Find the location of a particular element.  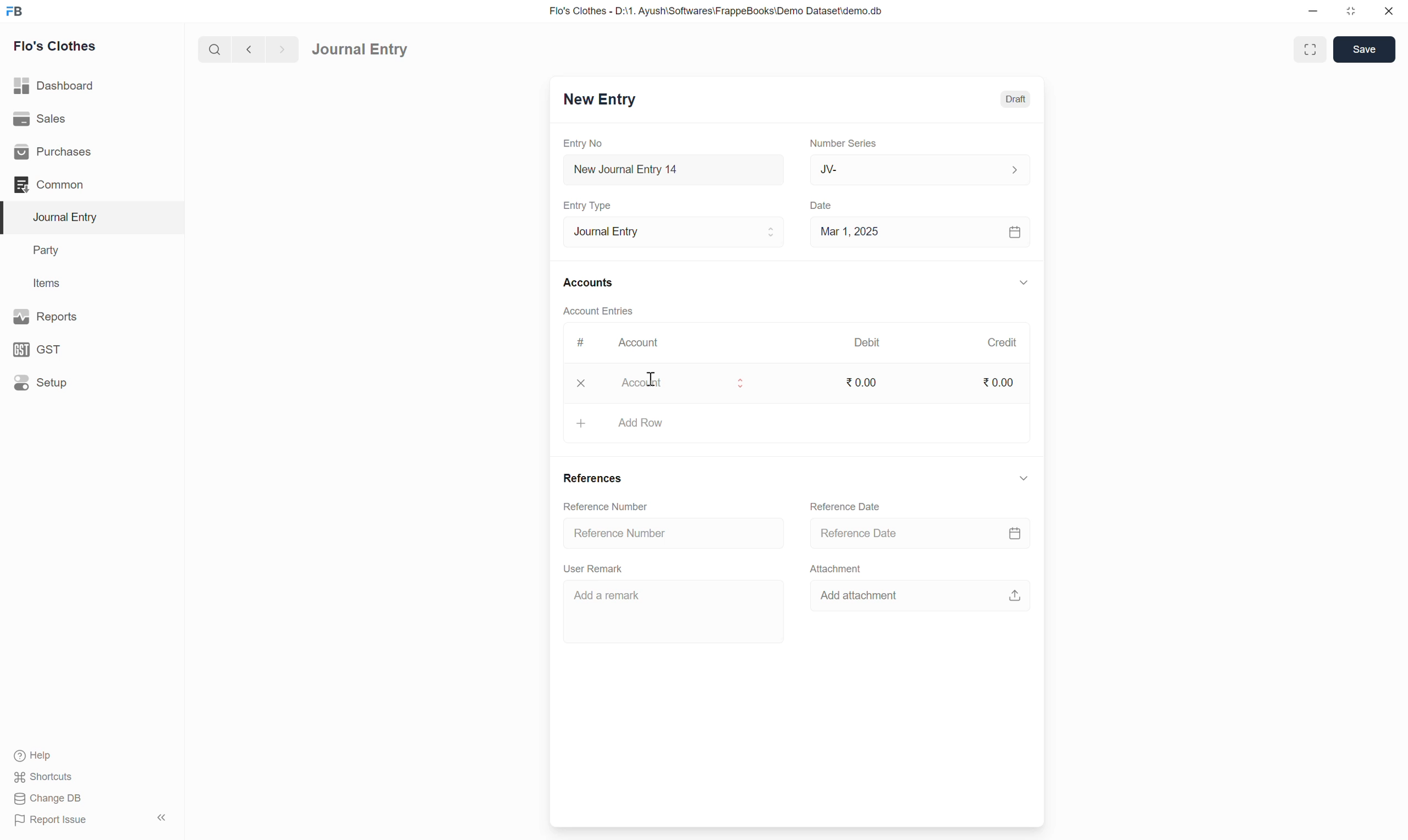

Sales is located at coordinates (39, 117).